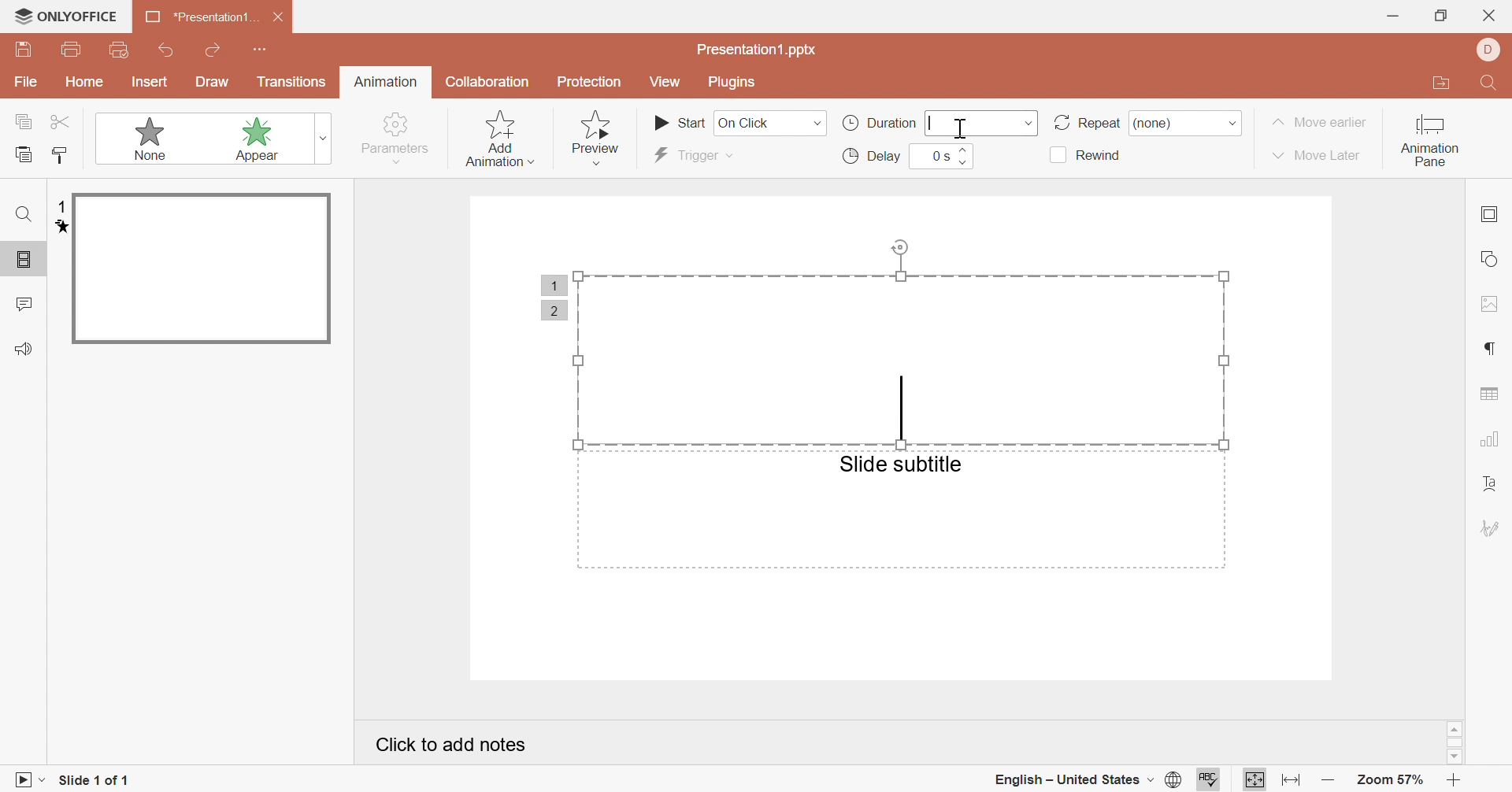 This screenshot has width=1512, height=792. What do you see at coordinates (61, 154) in the screenshot?
I see `copy style` at bounding box center [61, 154].